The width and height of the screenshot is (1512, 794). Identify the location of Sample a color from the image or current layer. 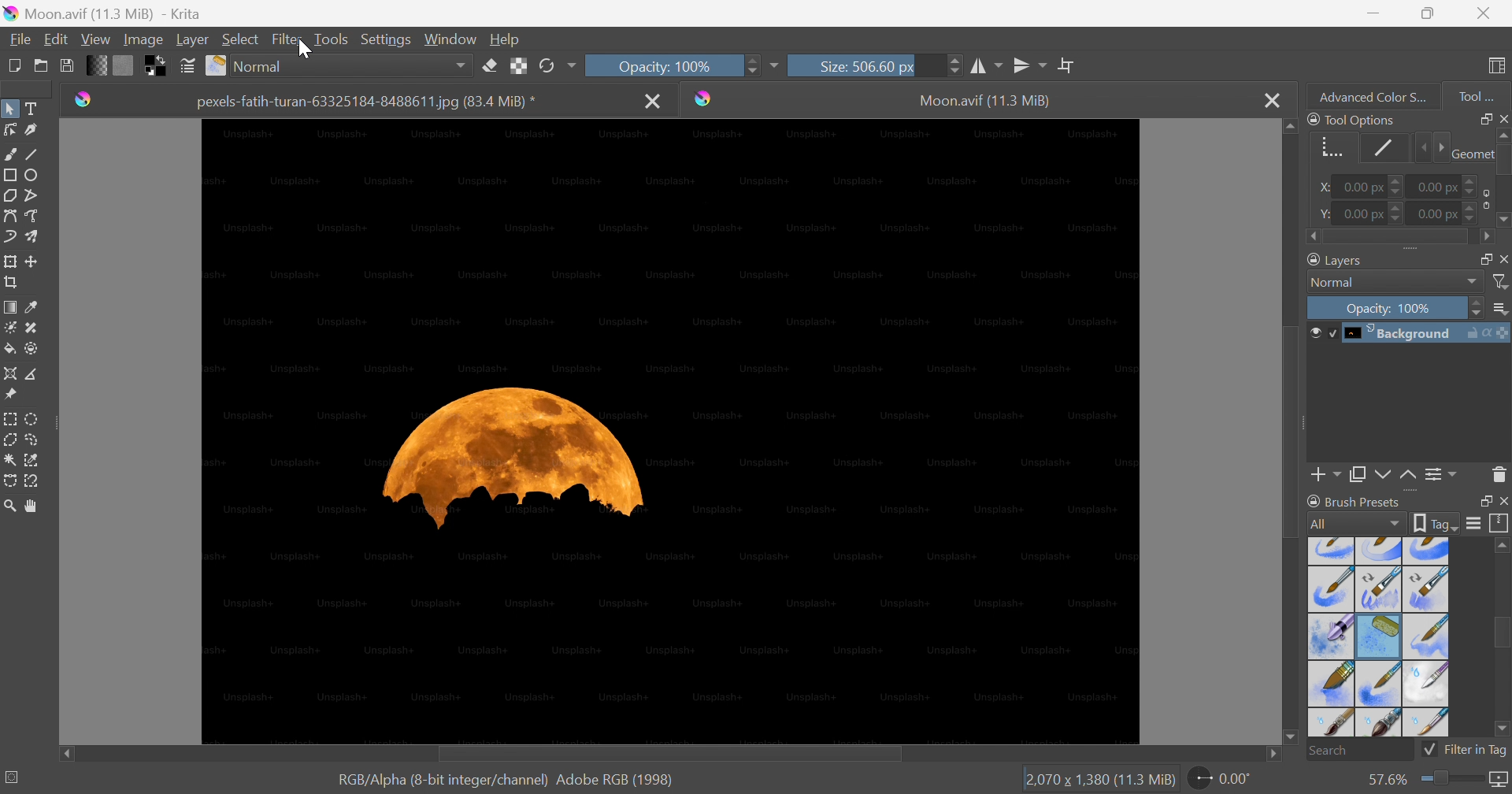
(31, 304).